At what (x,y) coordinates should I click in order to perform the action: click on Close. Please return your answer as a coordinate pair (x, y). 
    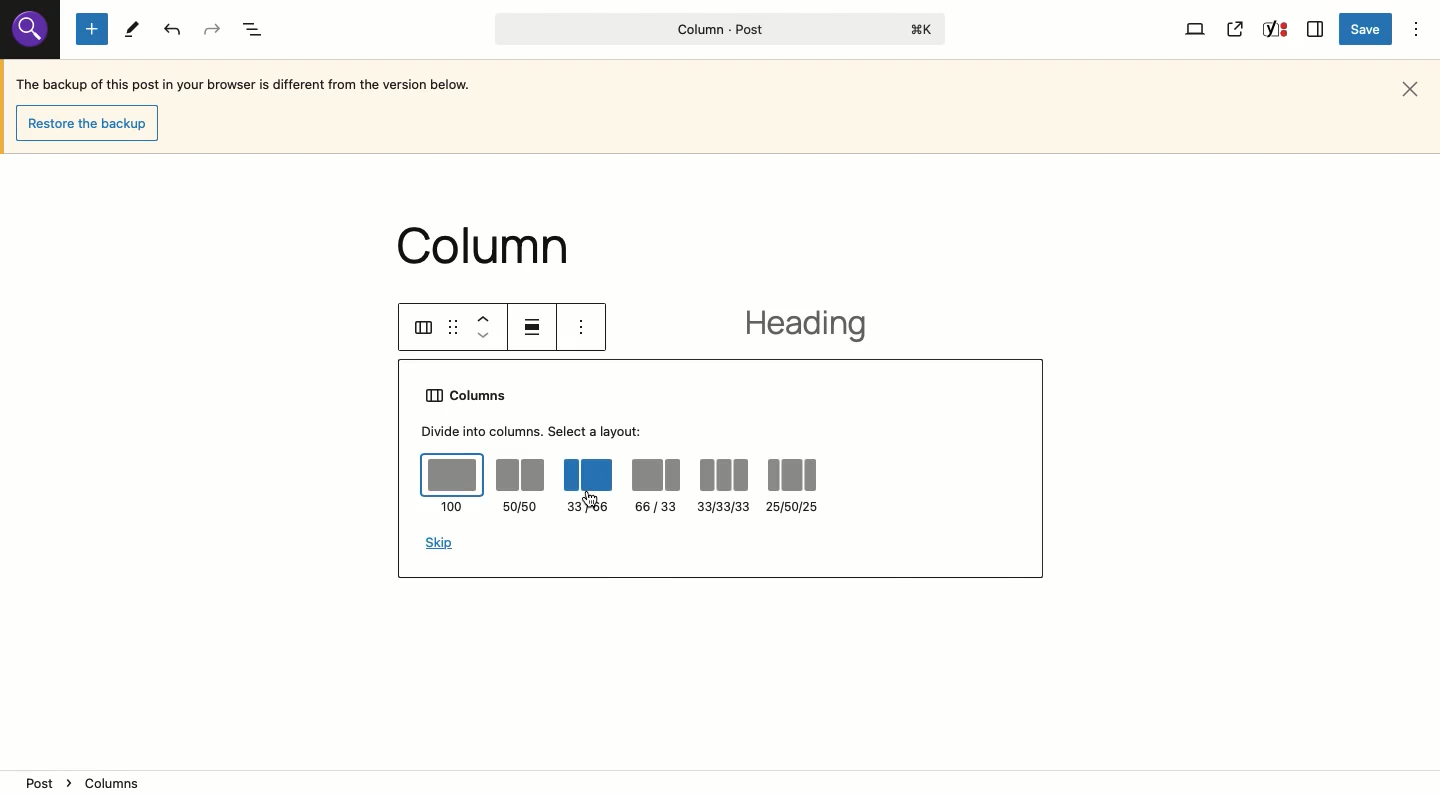
    Looking at the image, I should click on (1414, 87).